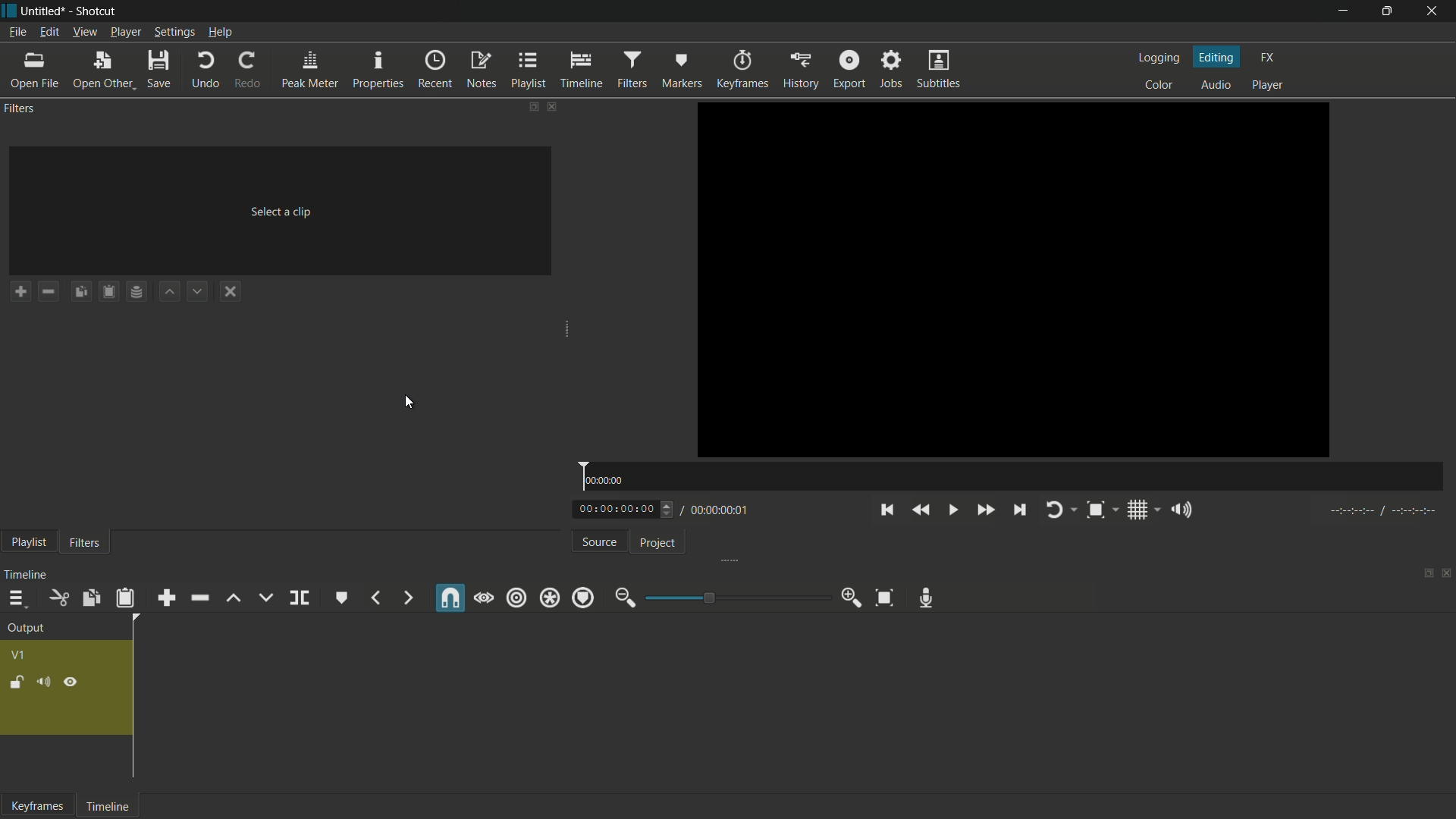  What do you see at coordinates (1393, 11) in the screenshot?
I see `Maximize` at bounding box center [1393, 11].